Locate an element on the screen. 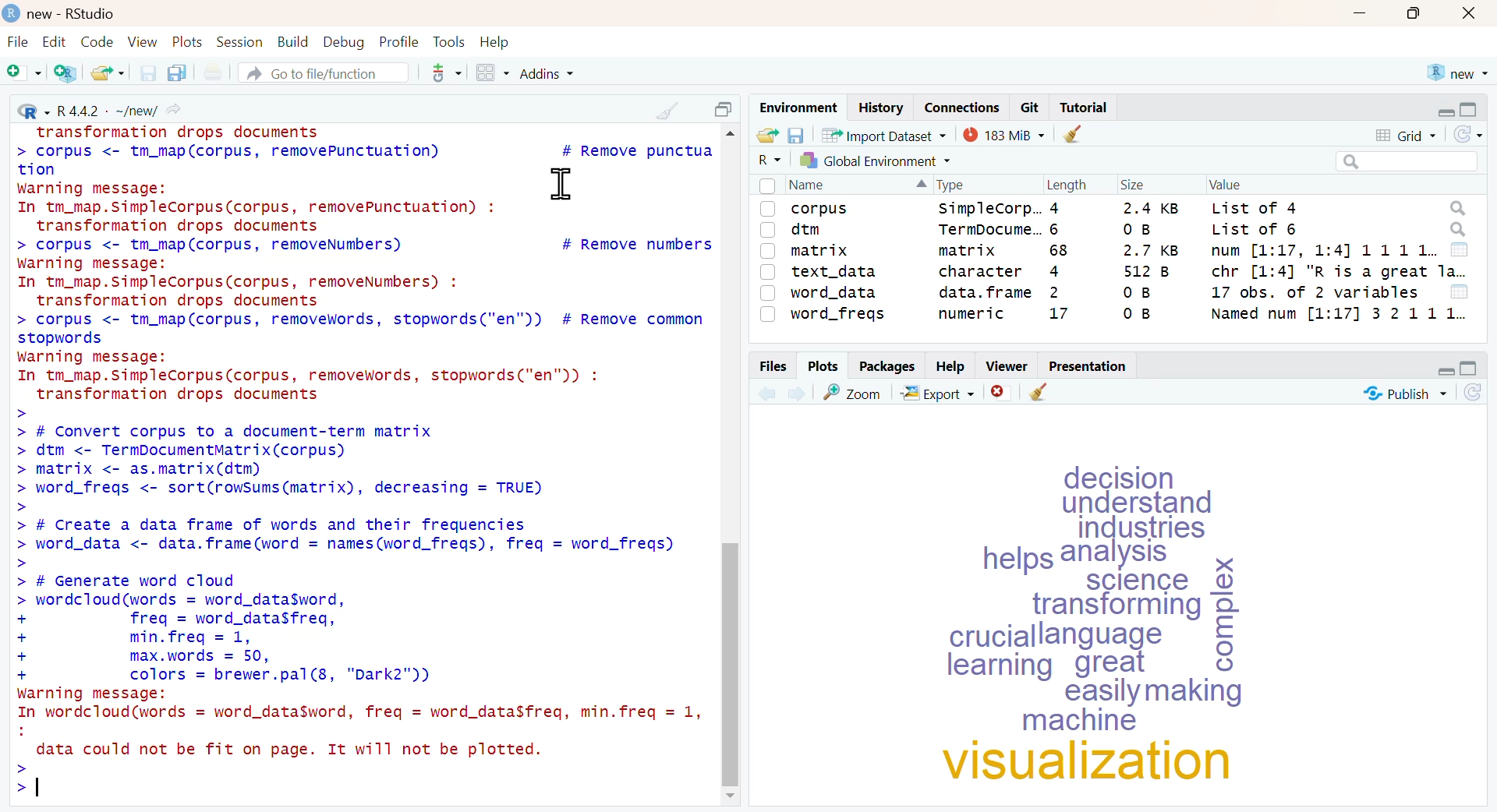 This screenshot has width=1497, height=812. Open an existing file is located at coordinates (107, 72).